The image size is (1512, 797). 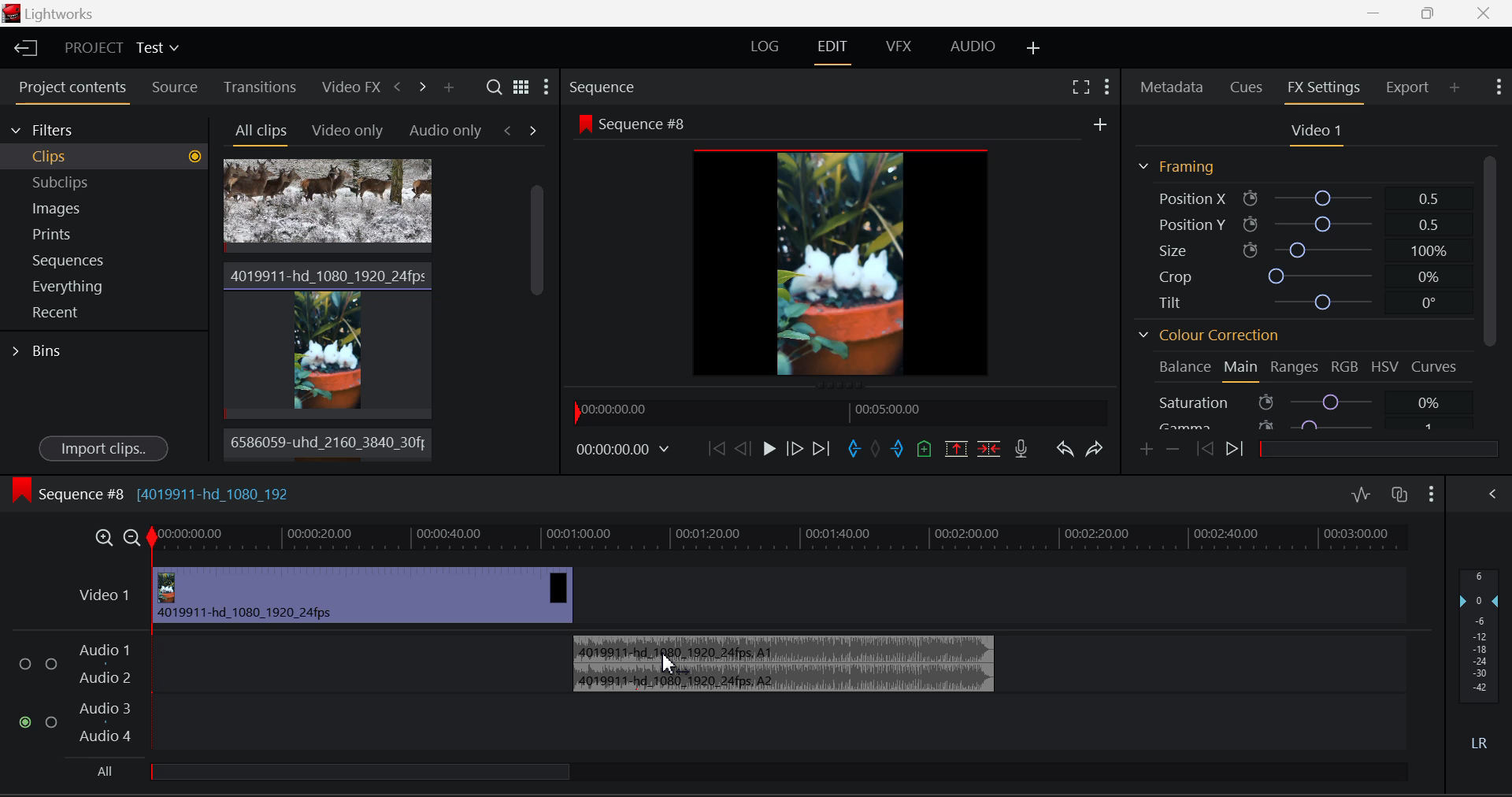 What do you see at coordinates (1065, 449) in the screenshot?
I see `Undo` at bounding box center [1065, 449].